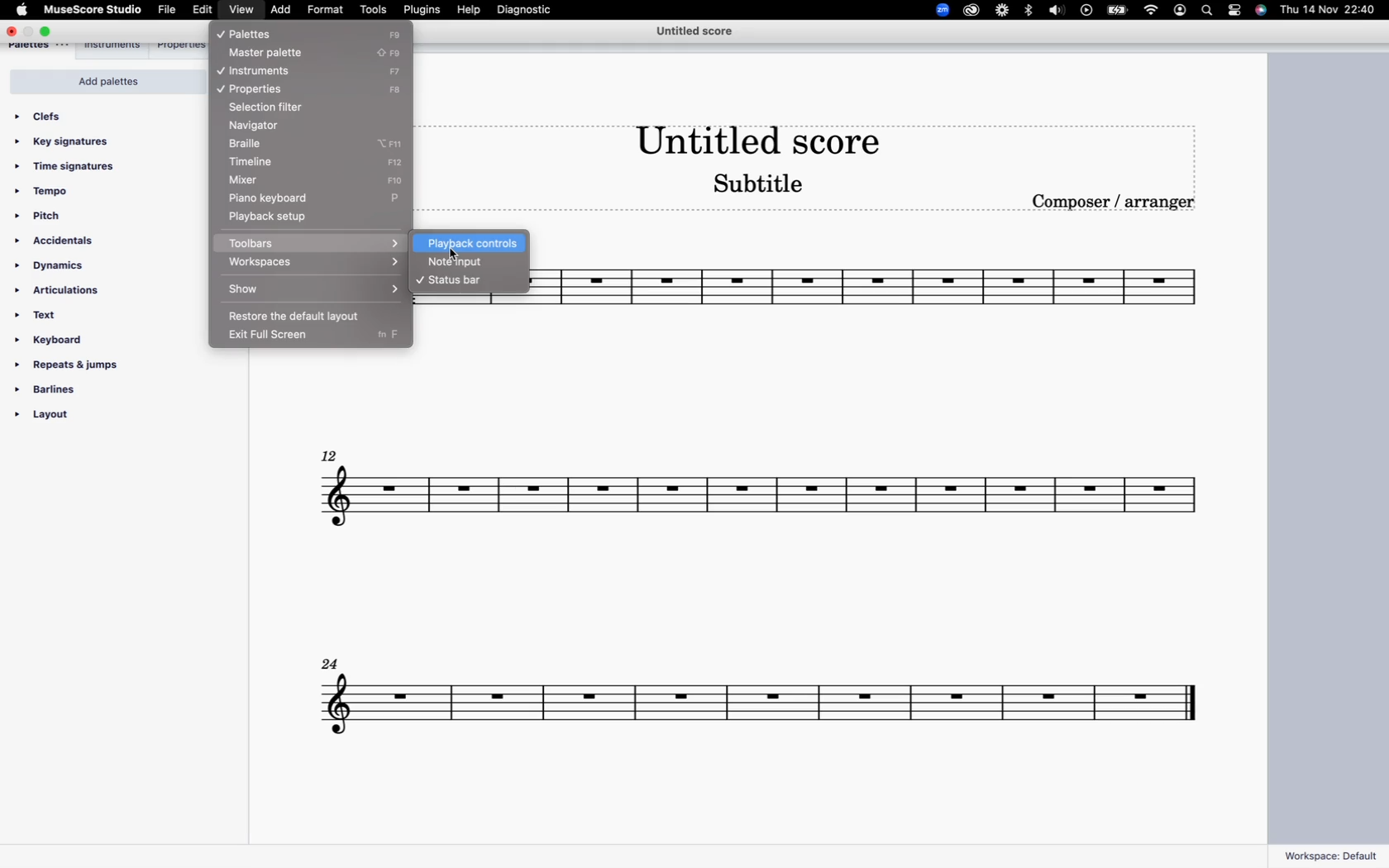  I want to click on clefs, so click(50, 116).